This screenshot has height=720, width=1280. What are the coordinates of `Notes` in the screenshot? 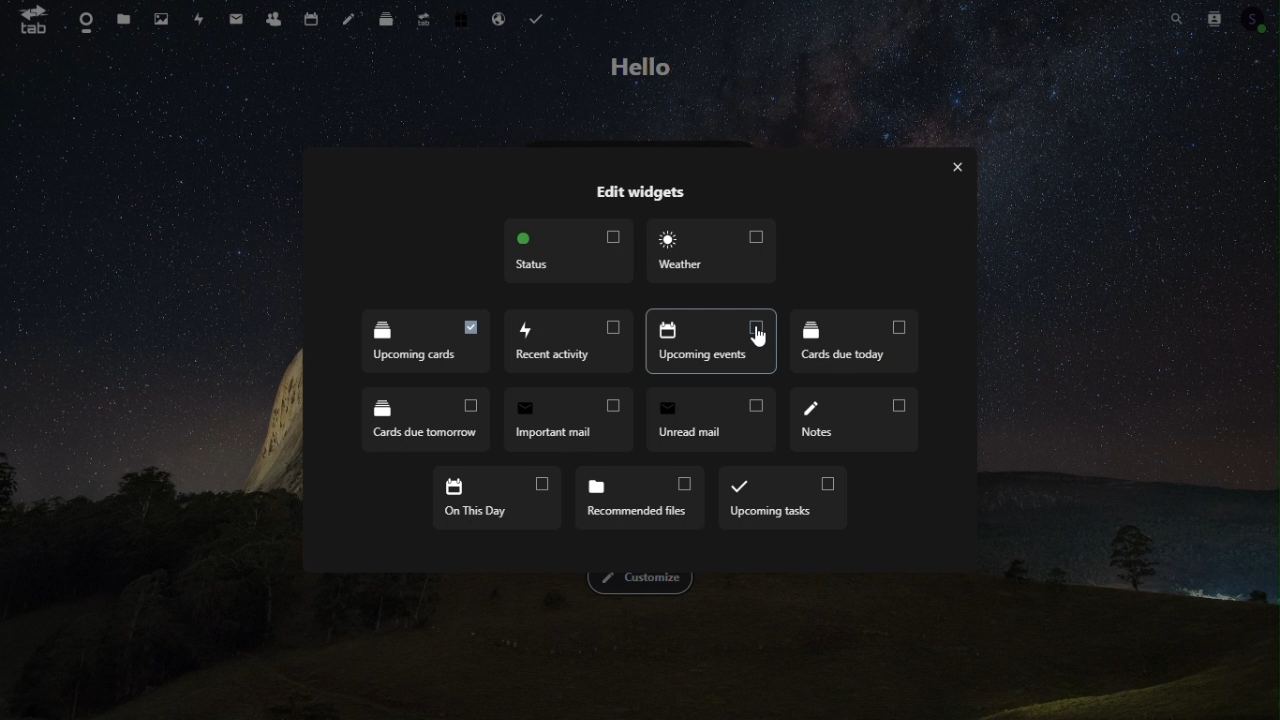 It's located at (856, 421).